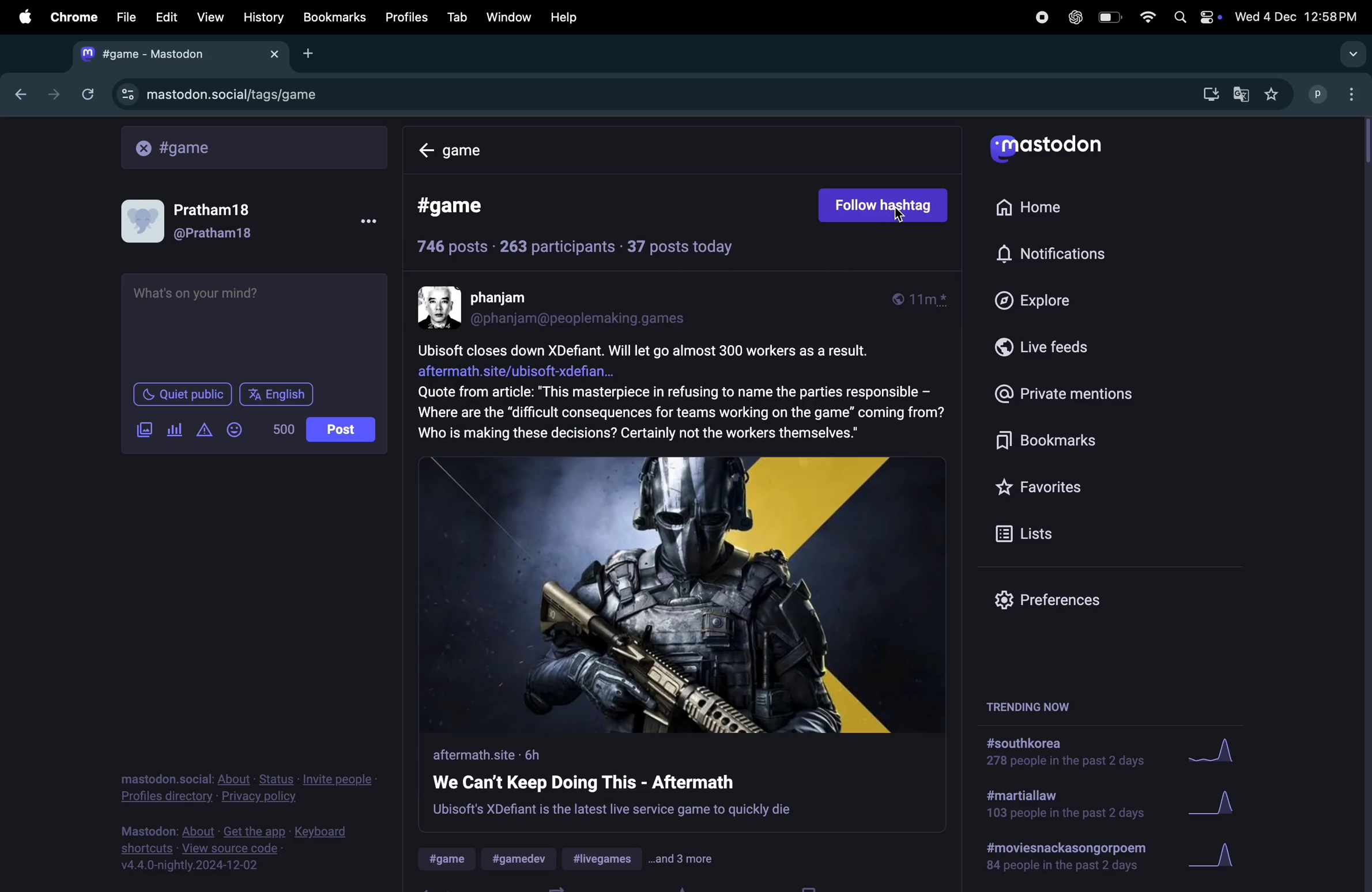 The width and height of the screenshot is (1372, 892). Describe the element at coordinates (684, 859) in the screenshot. I see `#more` at that location.